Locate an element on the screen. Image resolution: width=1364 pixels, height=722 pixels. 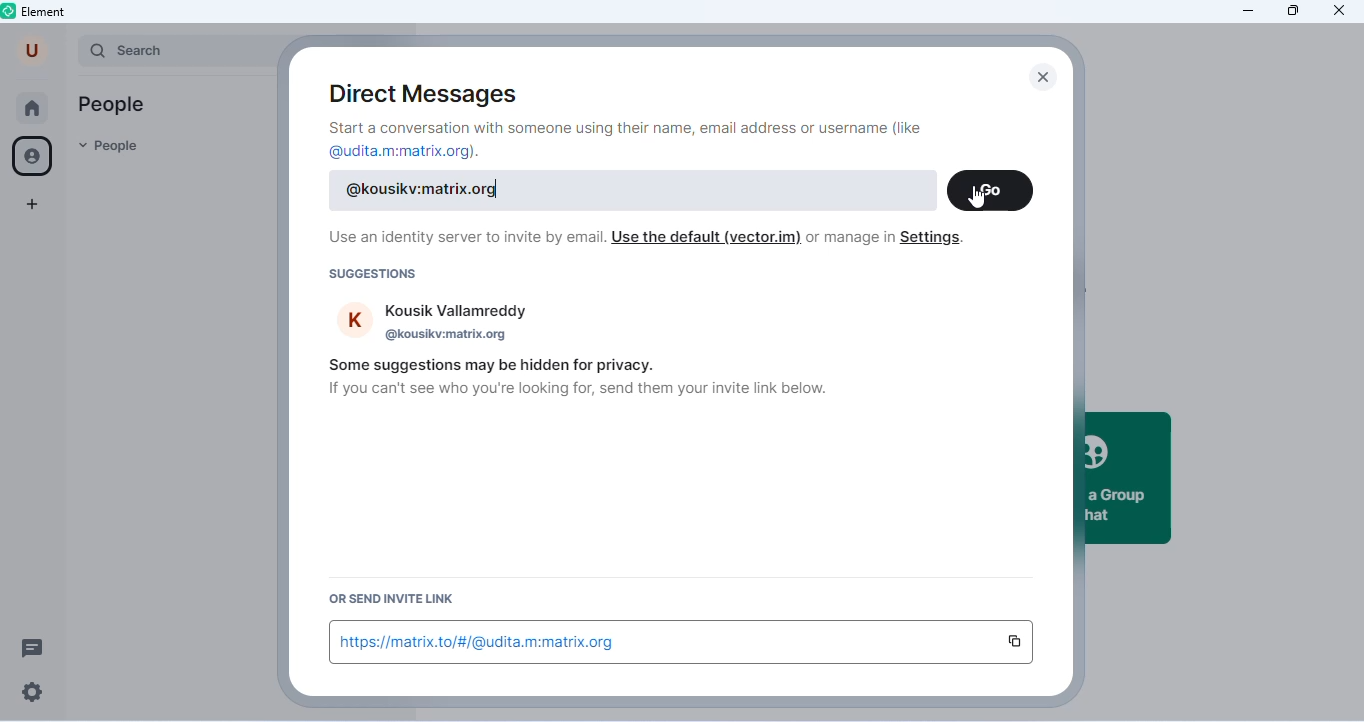
https://matrix.to/#/@udita.m:matrix.org is located at coordinates (482, 643).